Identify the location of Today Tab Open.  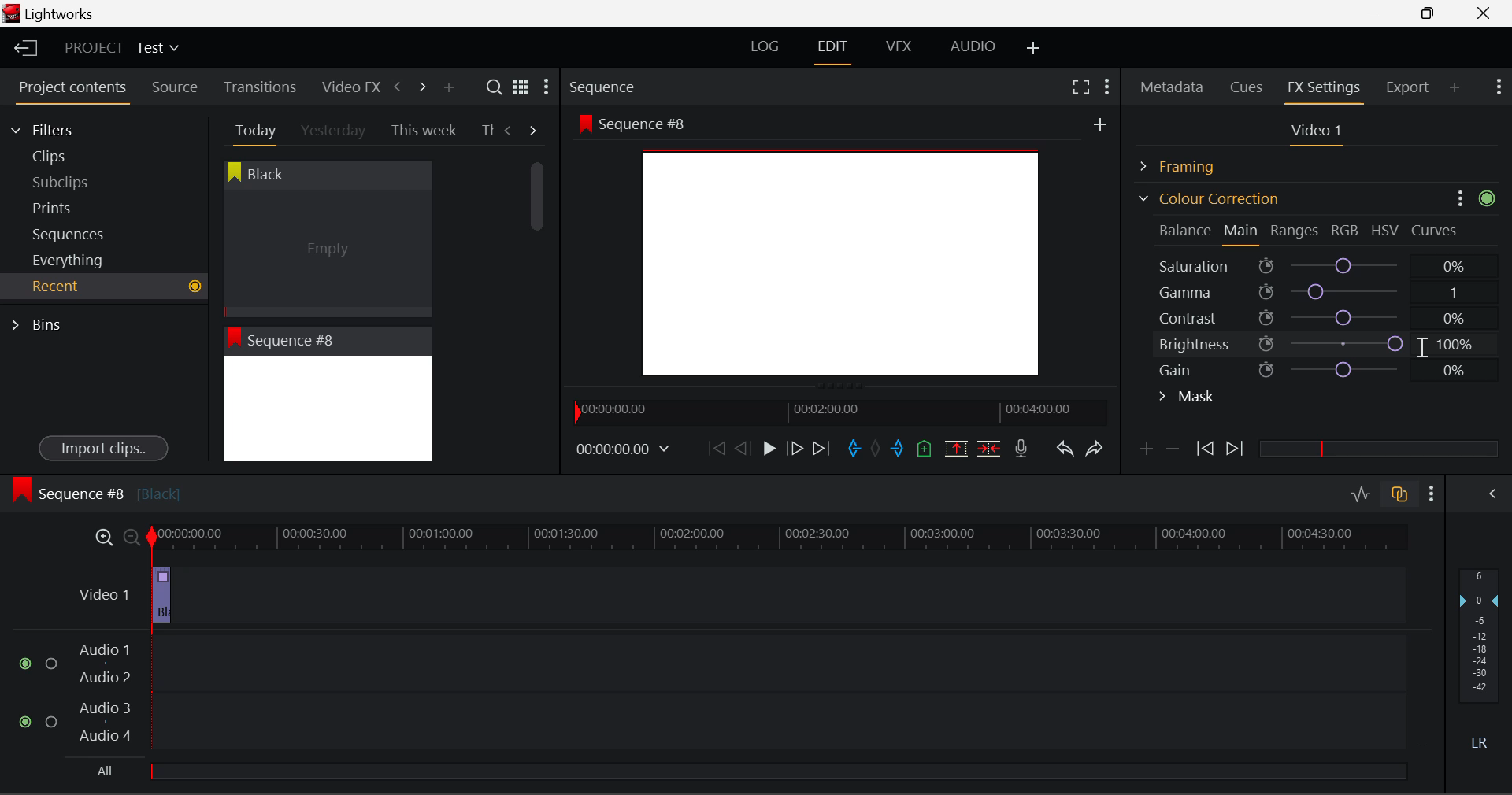
(252, 130).